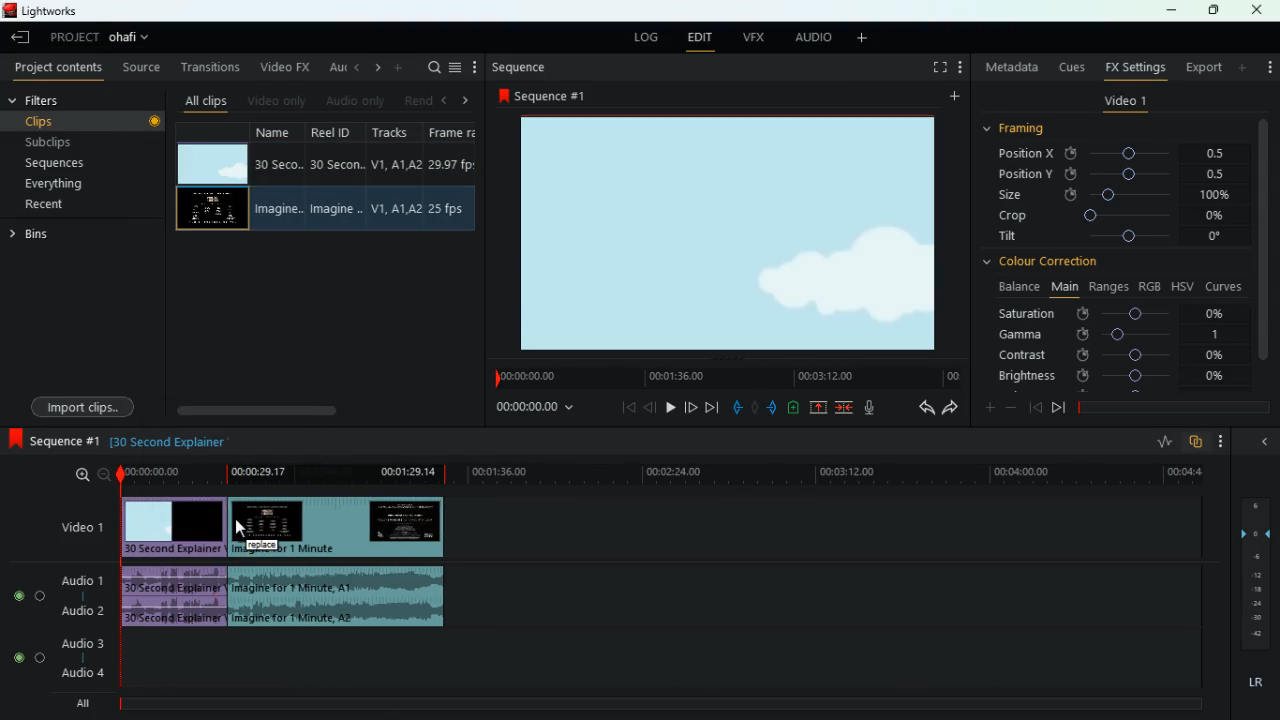  Describe the element at coordinates (82, 674) in the screenshot. I see `audio 4` at that location.